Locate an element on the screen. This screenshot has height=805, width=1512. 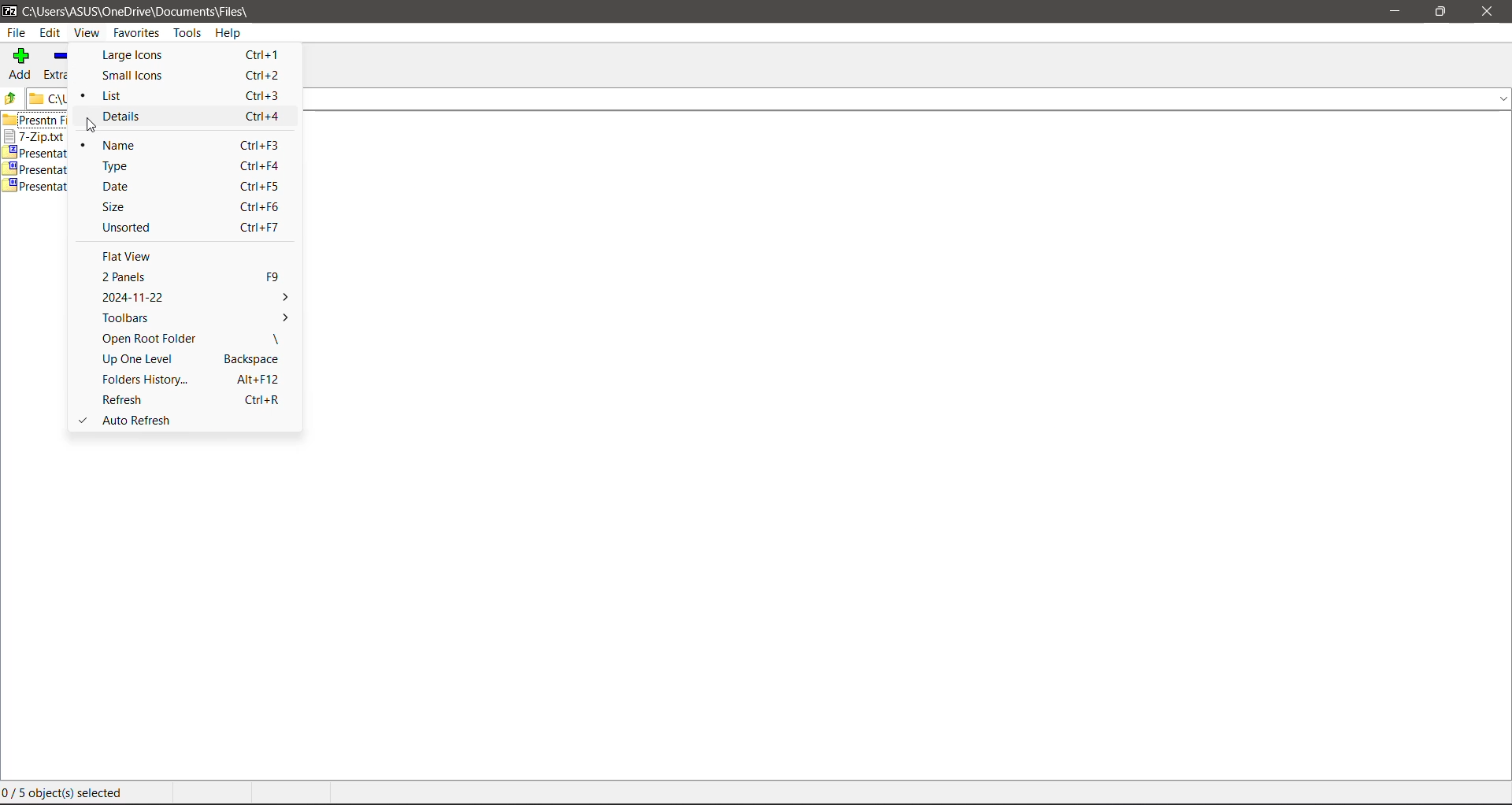
Minimize is located at coordinates (1392, 9).